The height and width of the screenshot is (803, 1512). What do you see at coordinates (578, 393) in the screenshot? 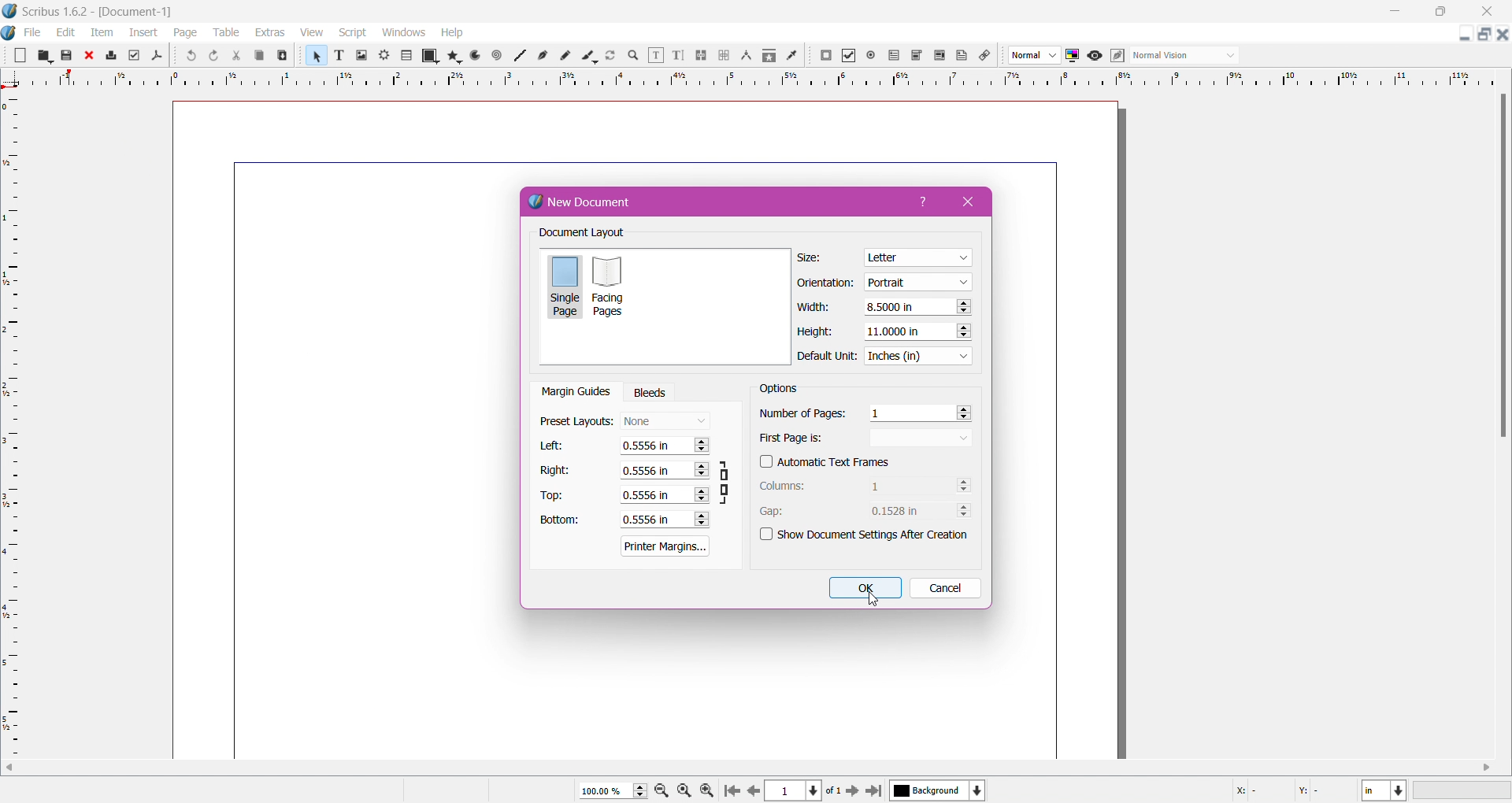
I see `margin guides` at bounding box center [578, 393].